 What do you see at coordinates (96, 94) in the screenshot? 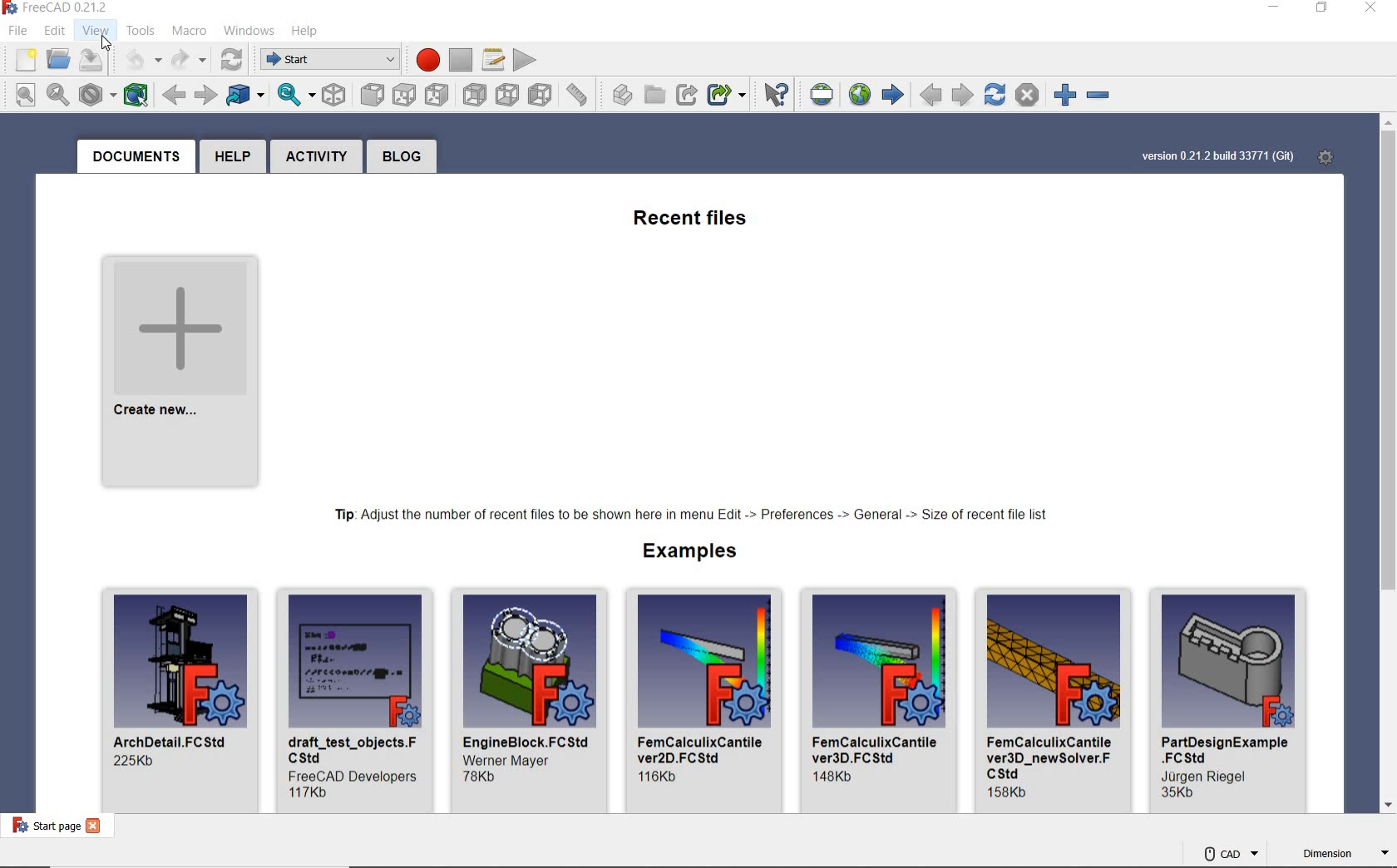
I see `draw style` at bounding box center [96, 94].